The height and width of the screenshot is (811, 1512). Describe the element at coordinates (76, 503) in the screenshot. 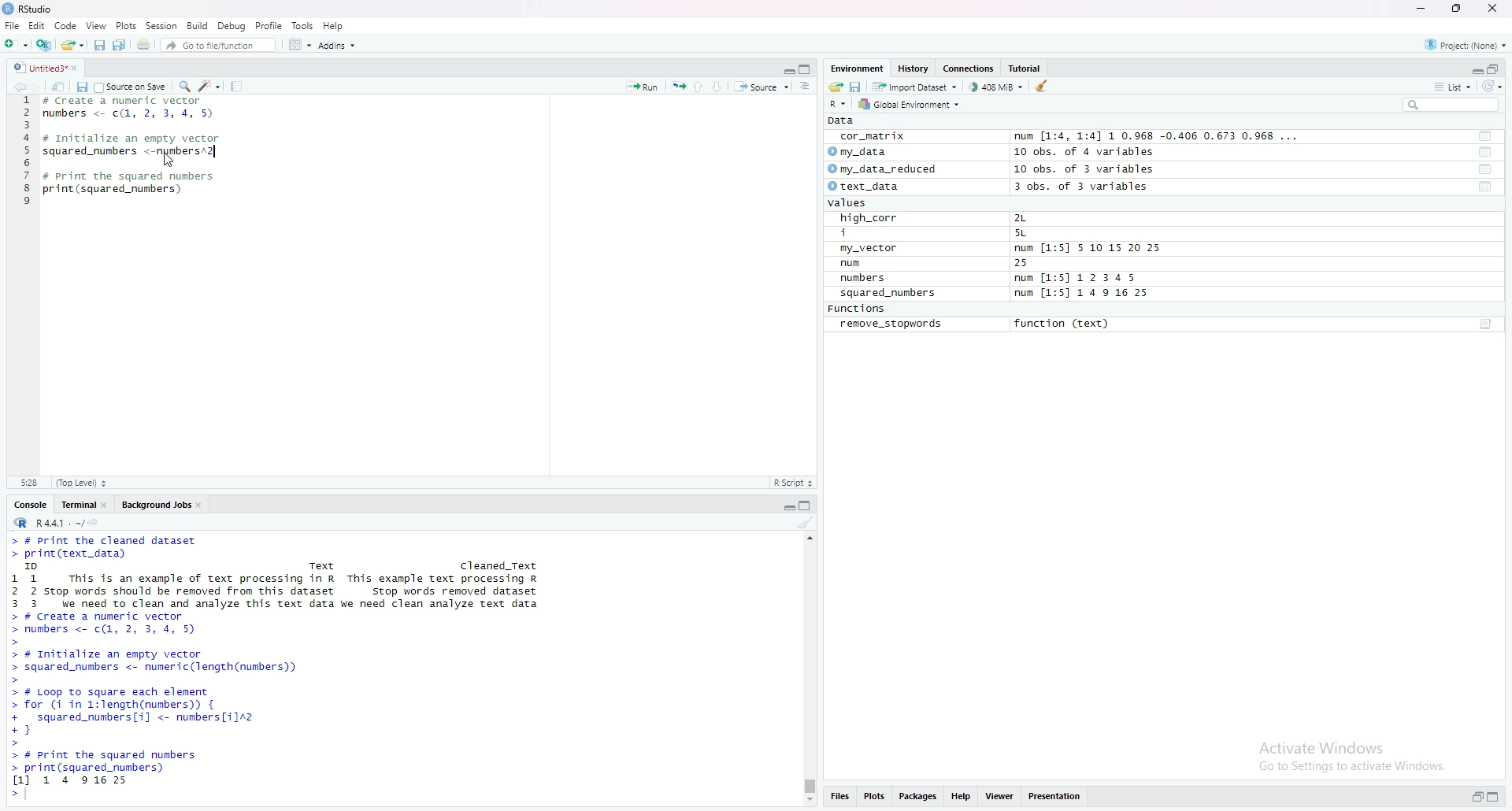

I see `Terminal` at that location.